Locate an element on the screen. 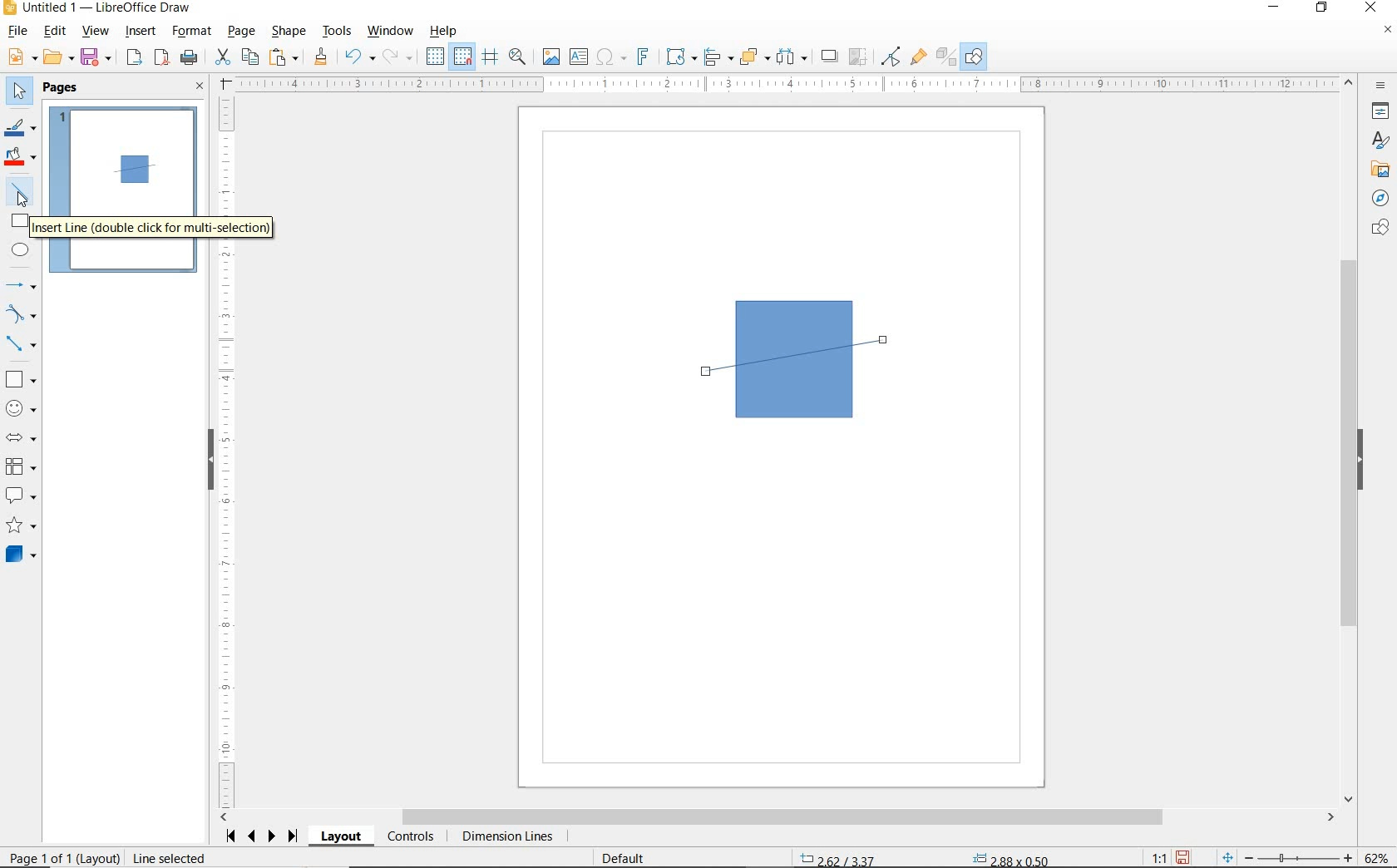  INSERT is located at coordinates (141, 32).